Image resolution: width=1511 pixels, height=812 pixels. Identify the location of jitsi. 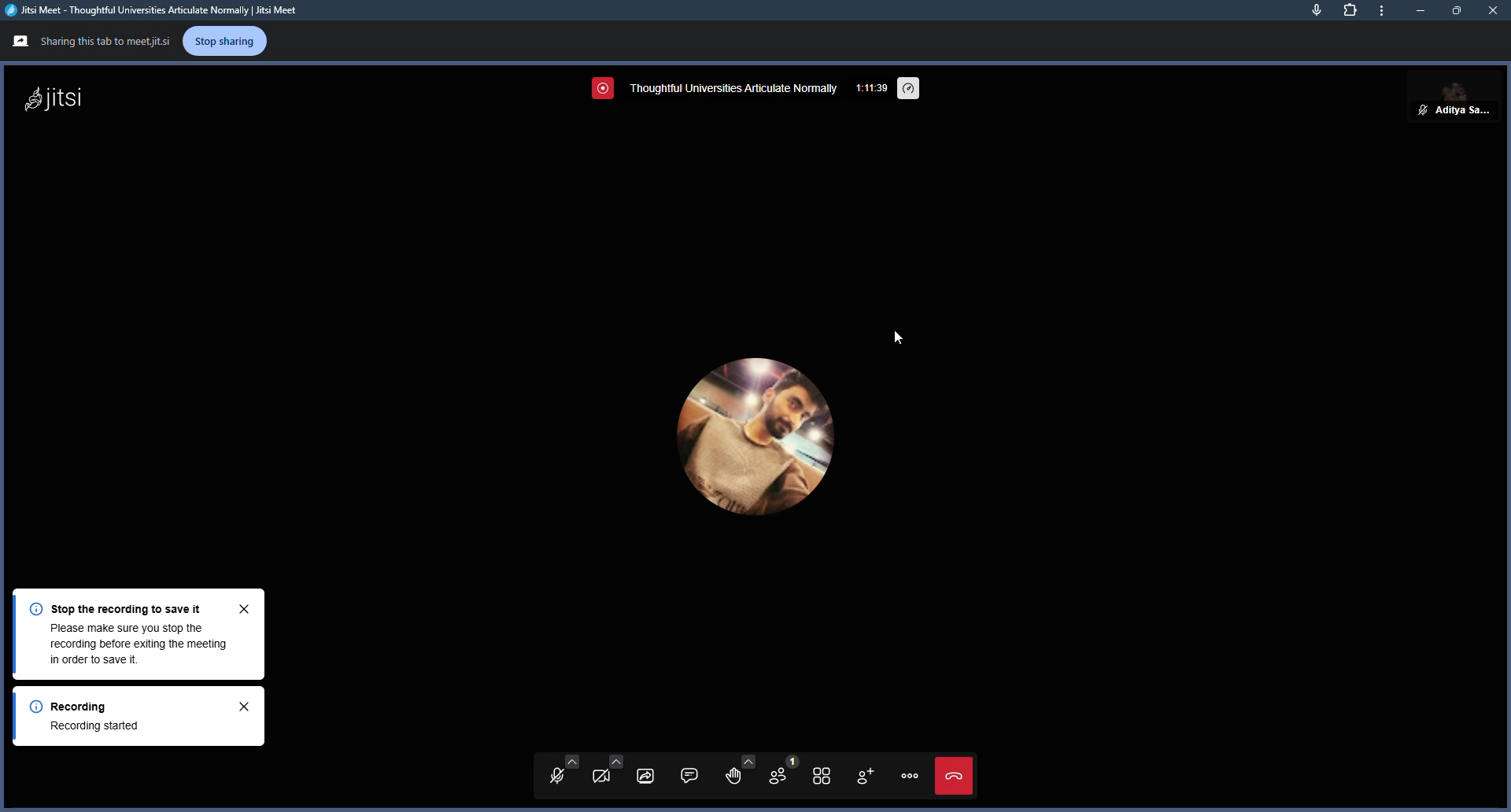
(57, 95).